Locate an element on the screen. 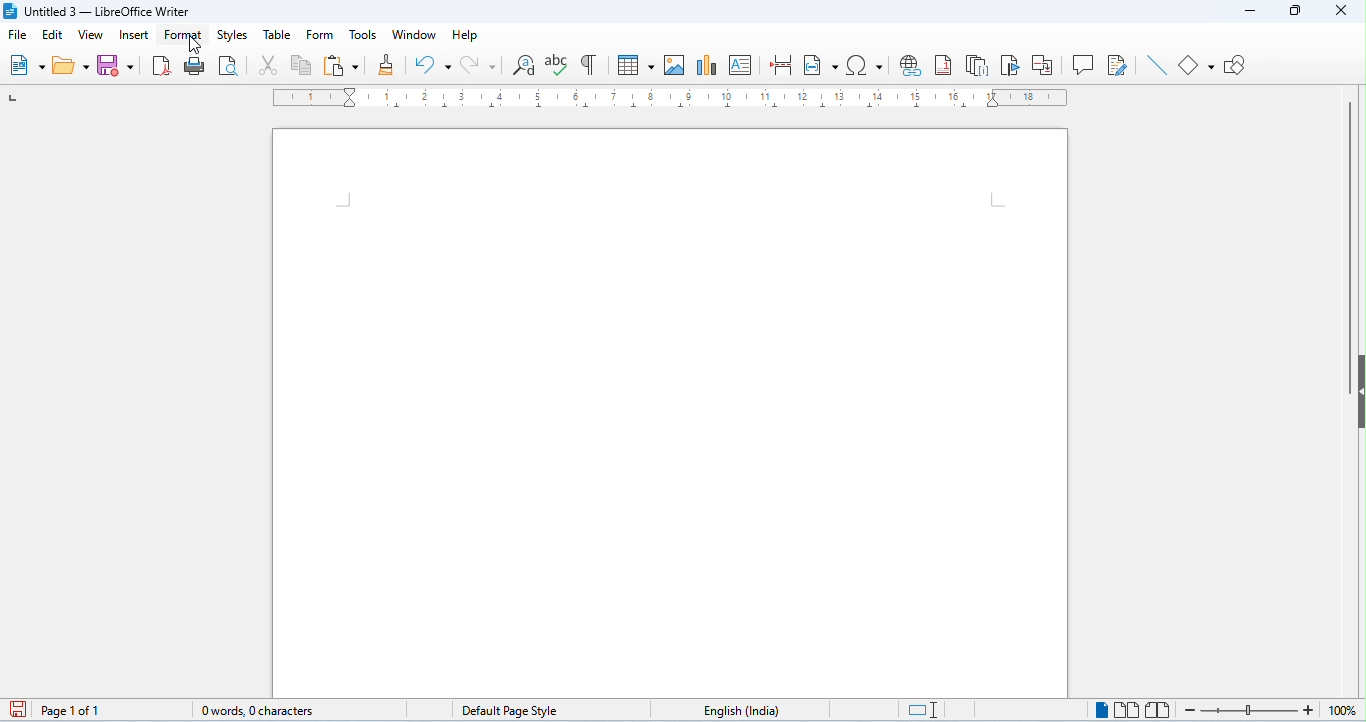 This screenshot has width=1366, height=722. paste is located at coordinates (341, 65).